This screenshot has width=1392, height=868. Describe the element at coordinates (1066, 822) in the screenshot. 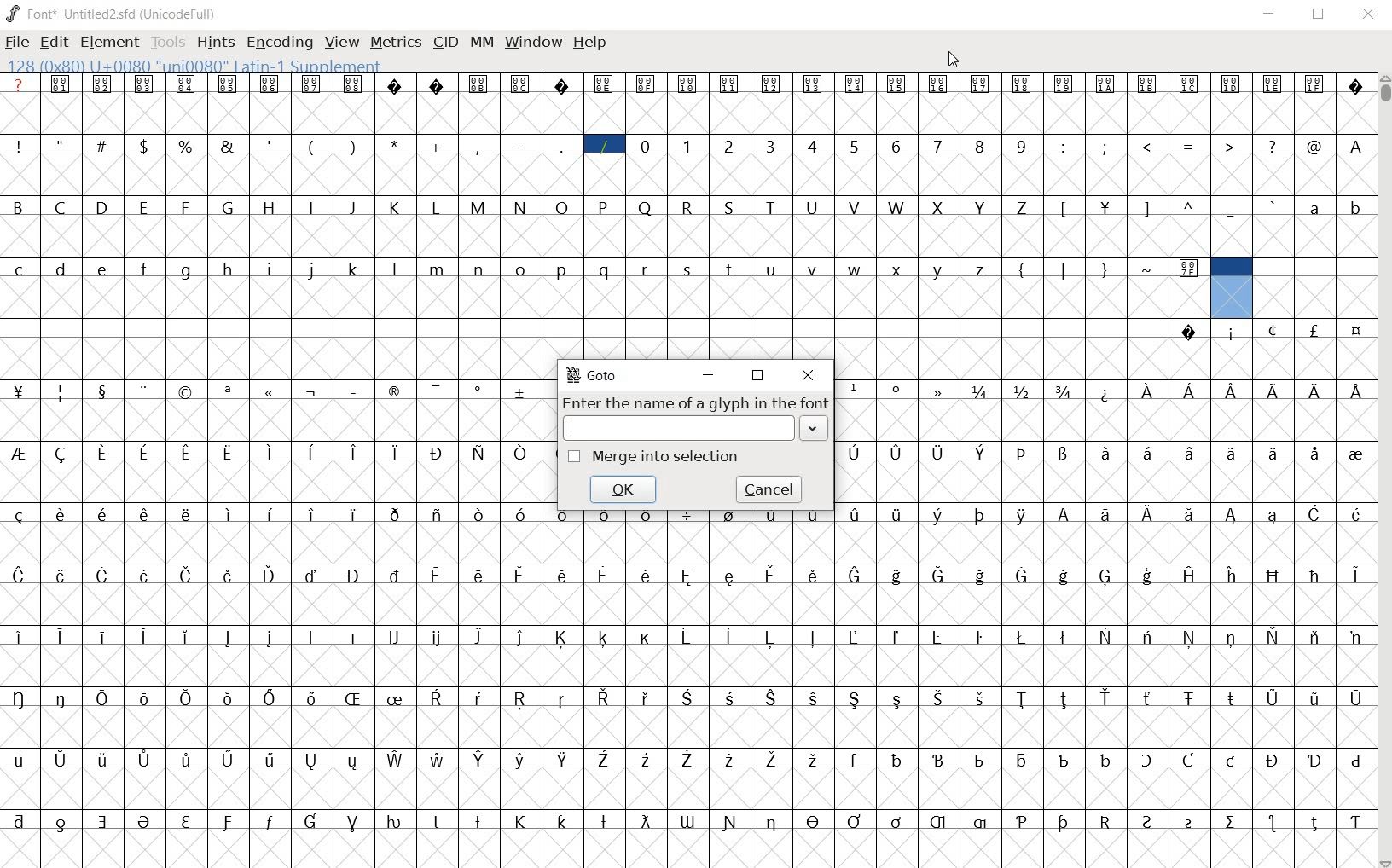

I see `Symbol` at that location.